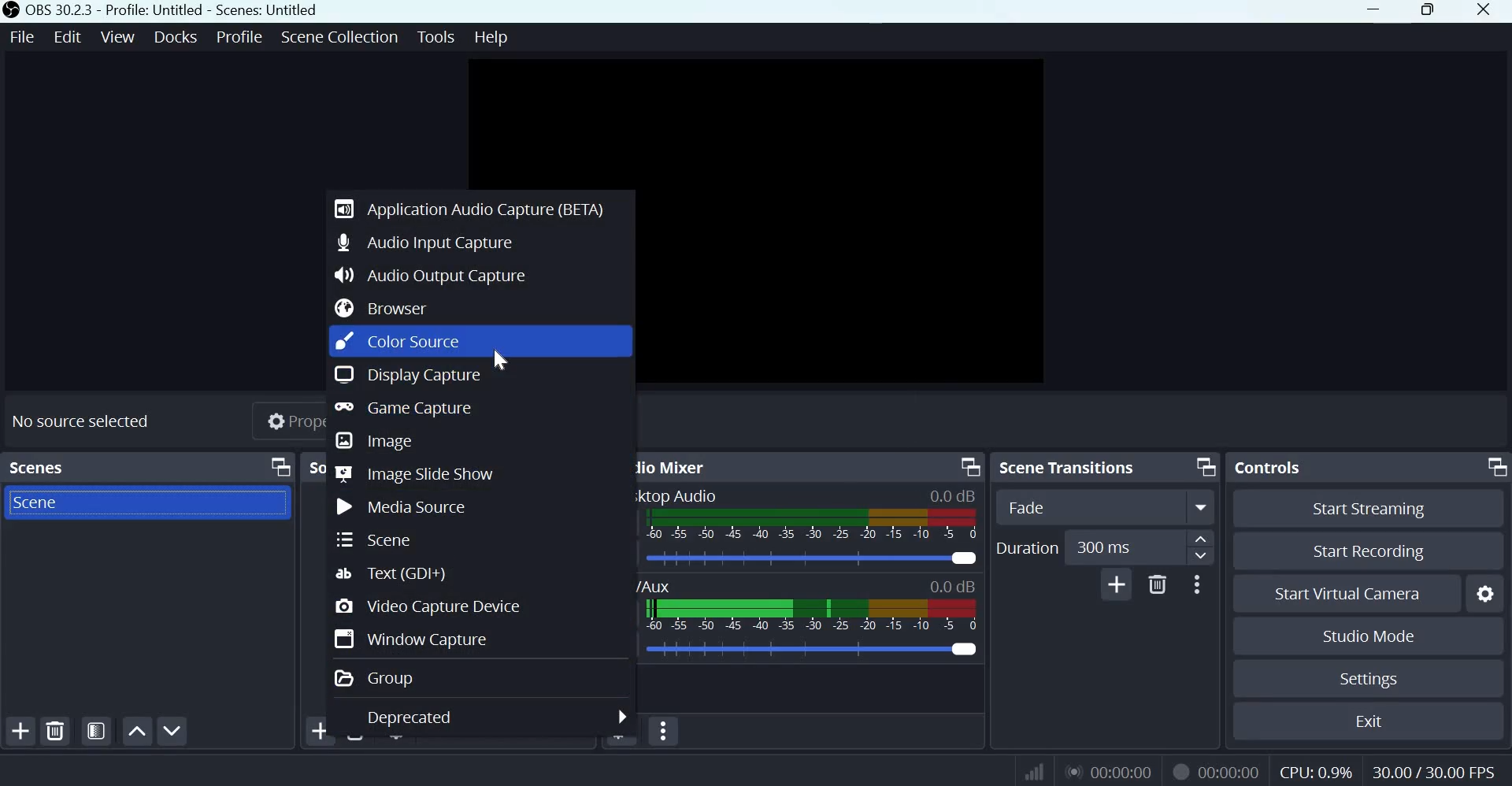 Image resolution: width=1512 pixels, height=786 pixels. What do you see at coordinates (395, 576) in the screenshot?
I see `Text (GDI+)` at bounding box center [395, 576].